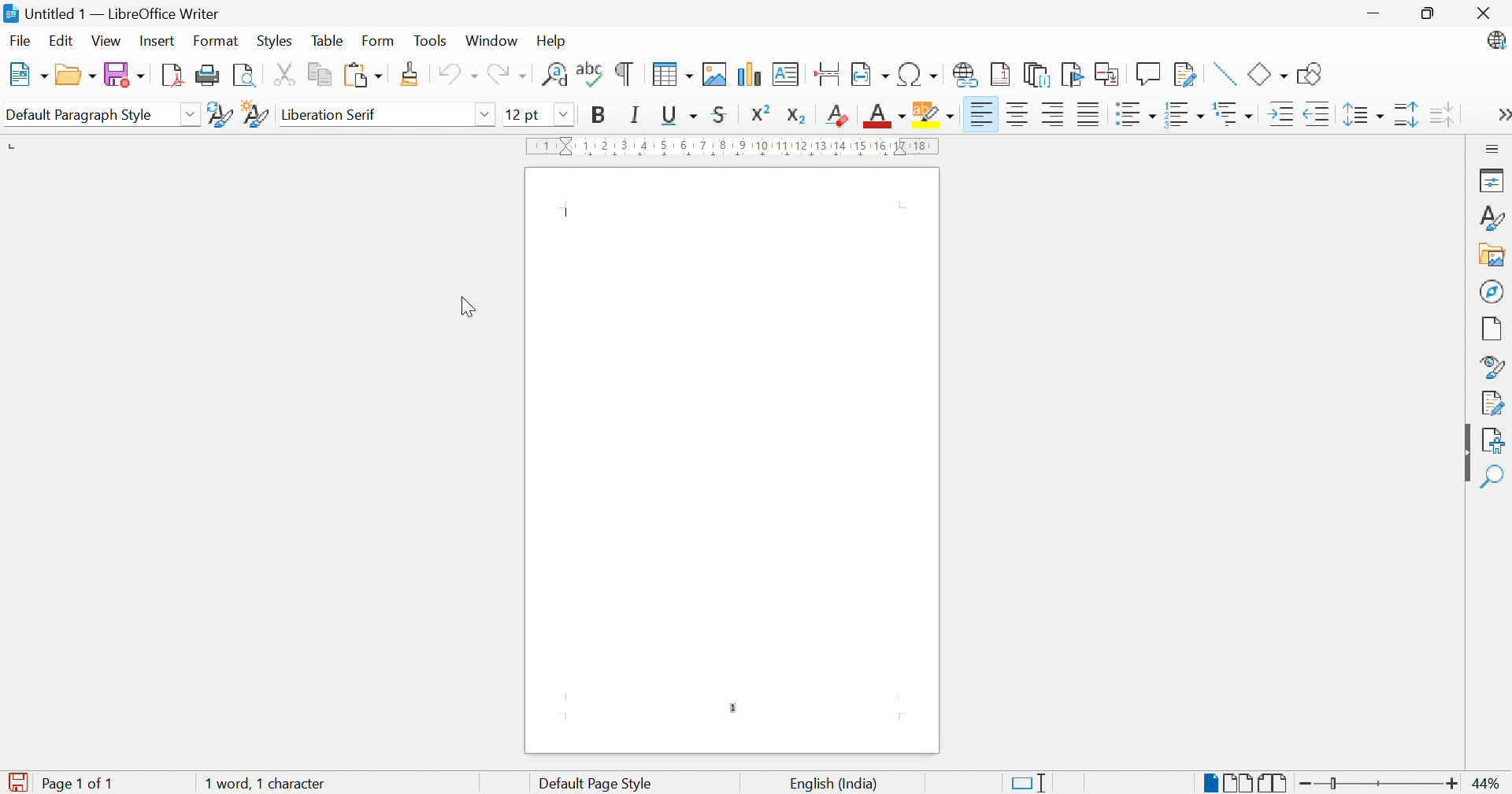 Image resolution: width=1512 pixels, height=794 pixels. What do you see at coordinates (713, 74) in the screenshot?
I see `Insert image` at bounding box center [713, 74].